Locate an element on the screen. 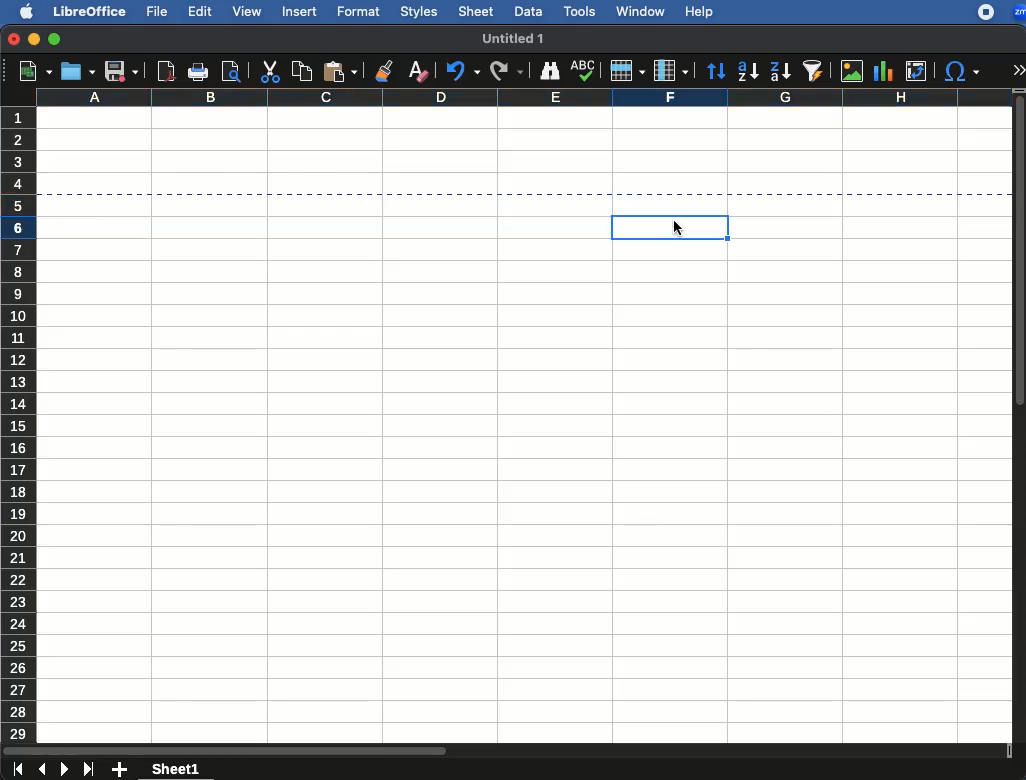 This screenshot has height=780, width=1026. row is located at coordinates (626, 72).